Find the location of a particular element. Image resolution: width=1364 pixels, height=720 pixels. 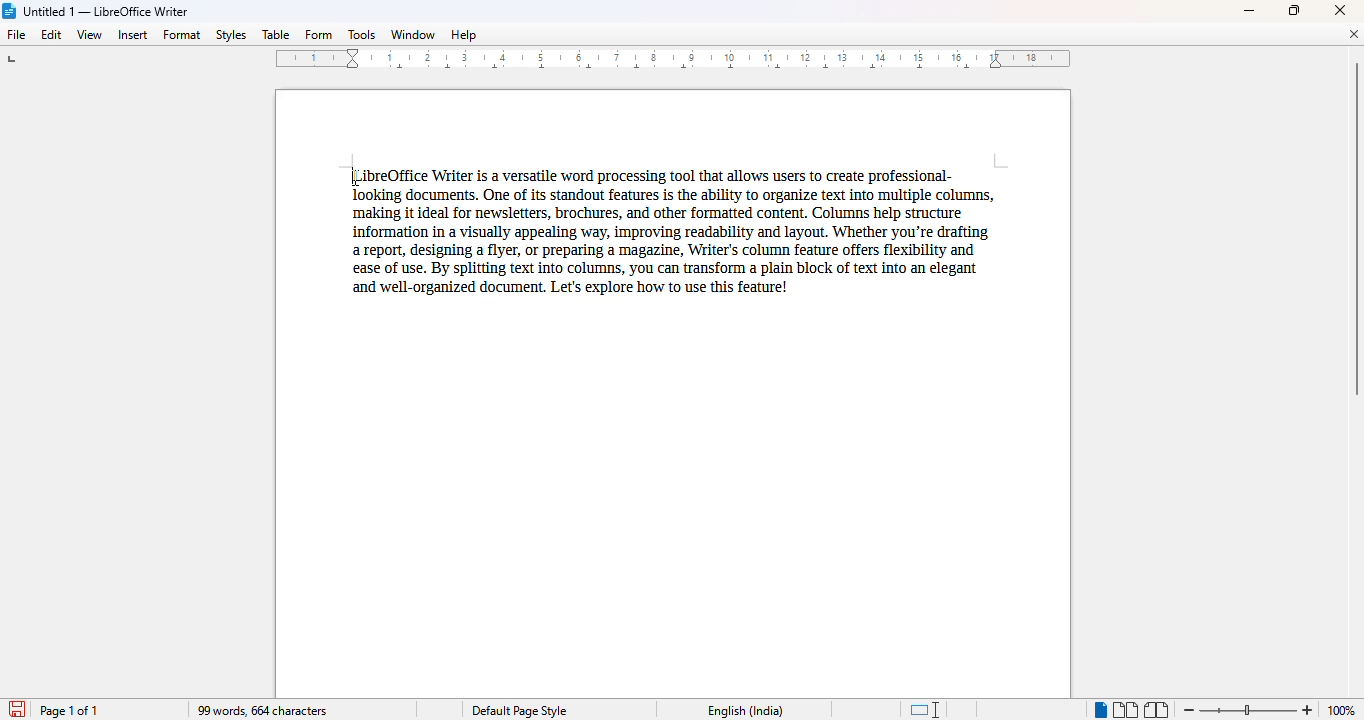

format is located at coordinates (183, 35).